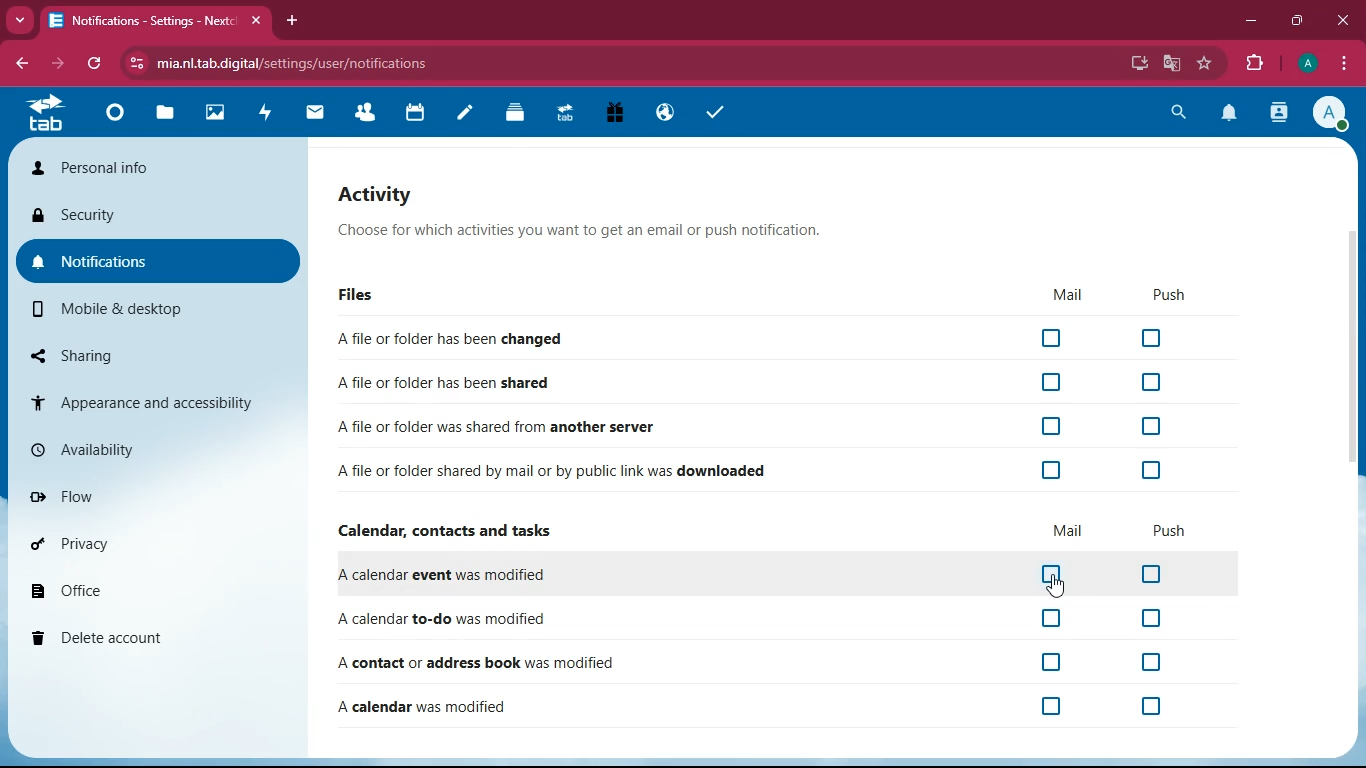 Image resolution: width=1366 pixels, height=768 pixels. What do you see at coordinates (1139, 63) in the screenshot?
I see `install app` at bounding box center [1139, 63].